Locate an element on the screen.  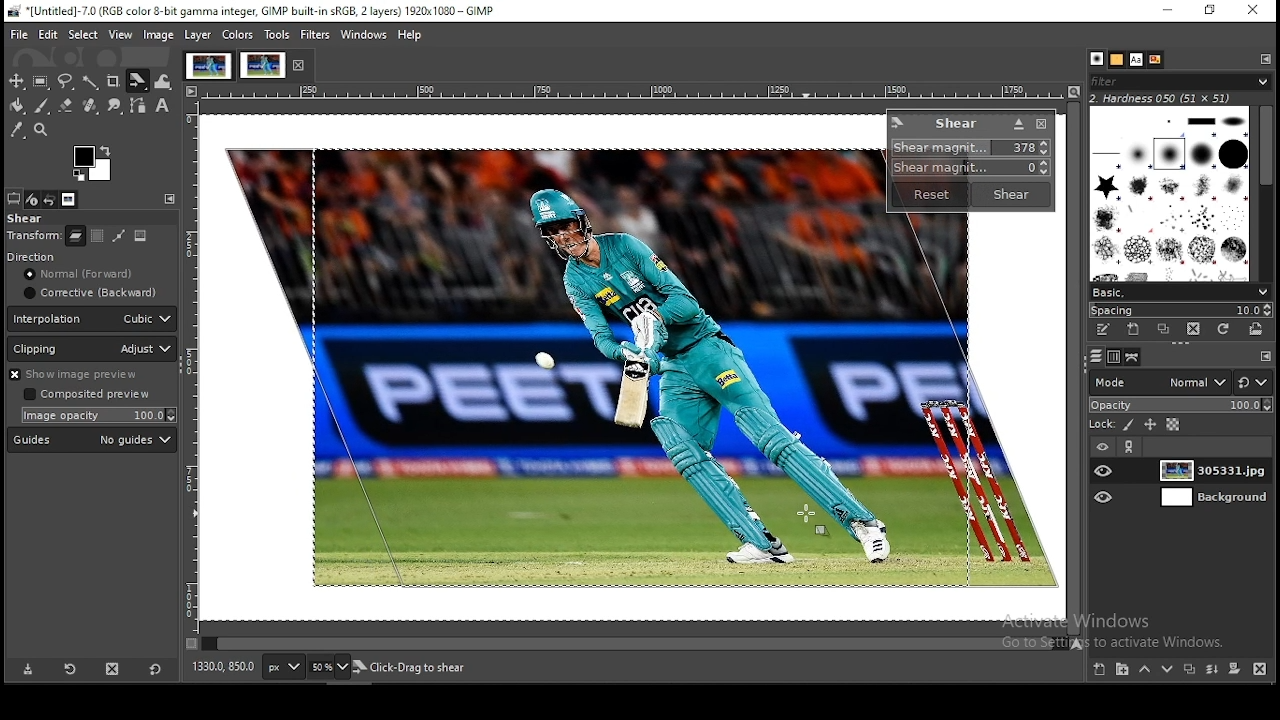
document history is located at coordinates (1153, 60).